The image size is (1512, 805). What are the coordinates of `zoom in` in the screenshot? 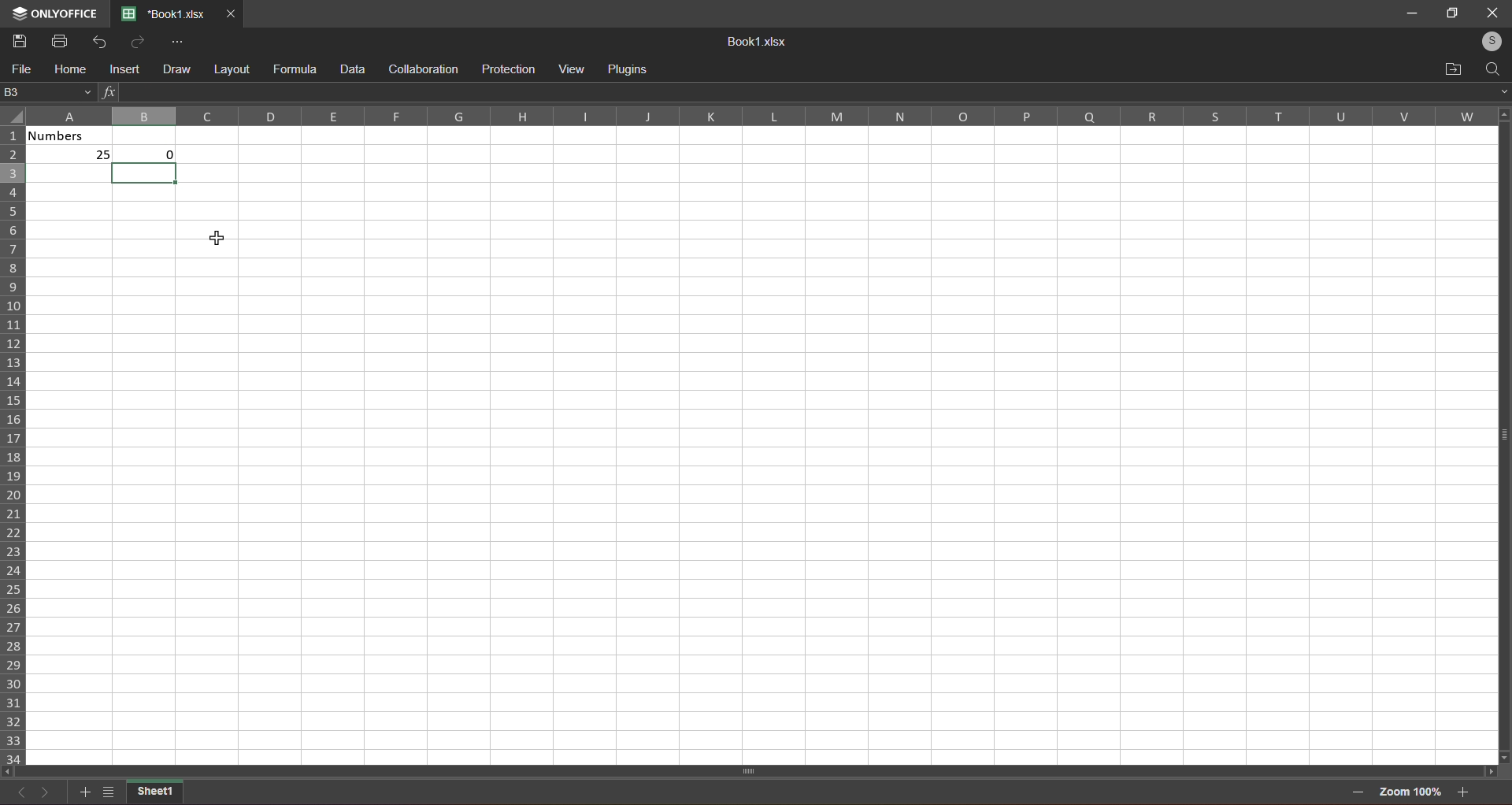 It's located at (1464, 793).